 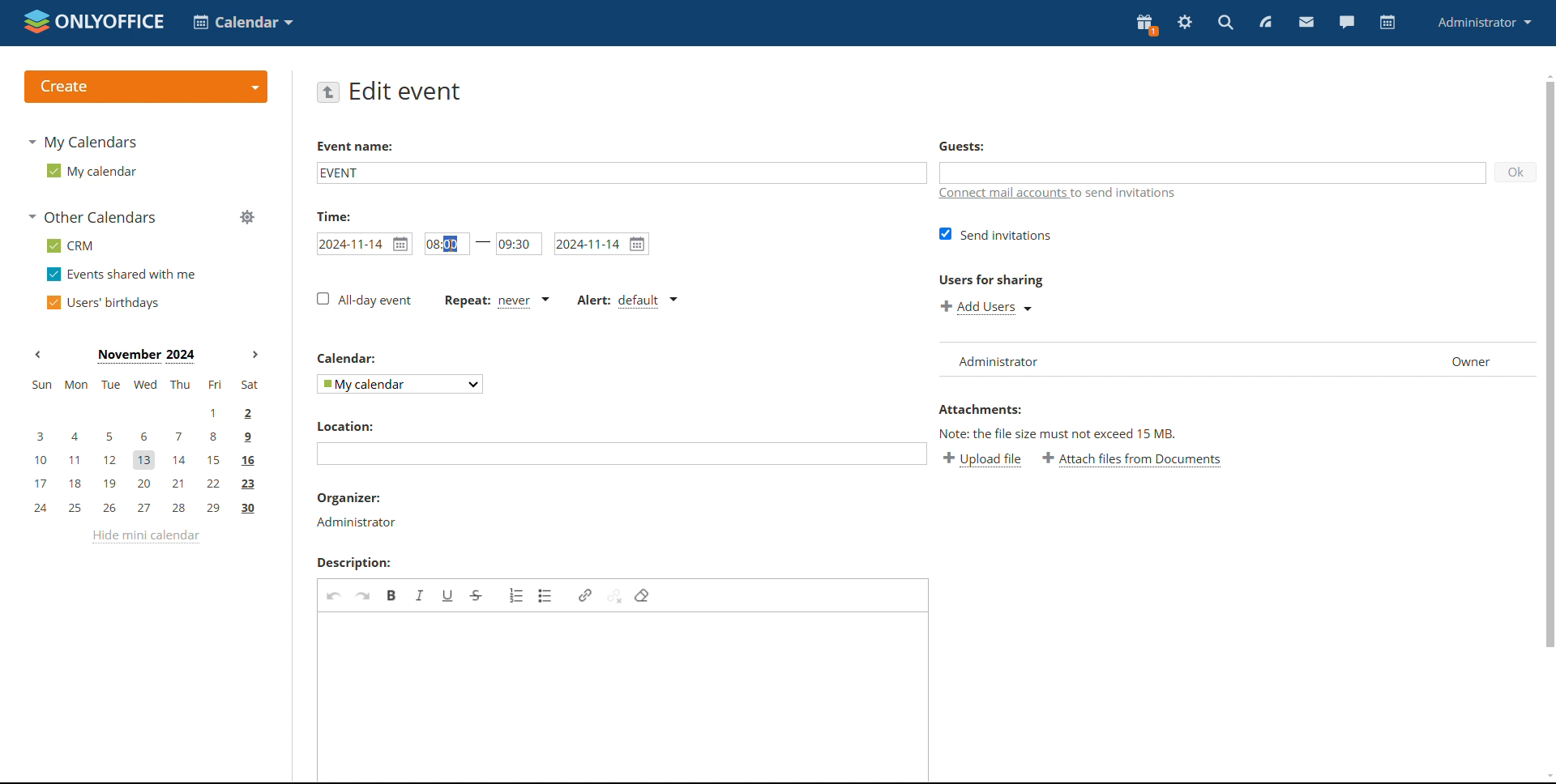 What do you see at coordinates (613, 594) in the screenshot?
I see `unlink` at bounding box center [613, 594].